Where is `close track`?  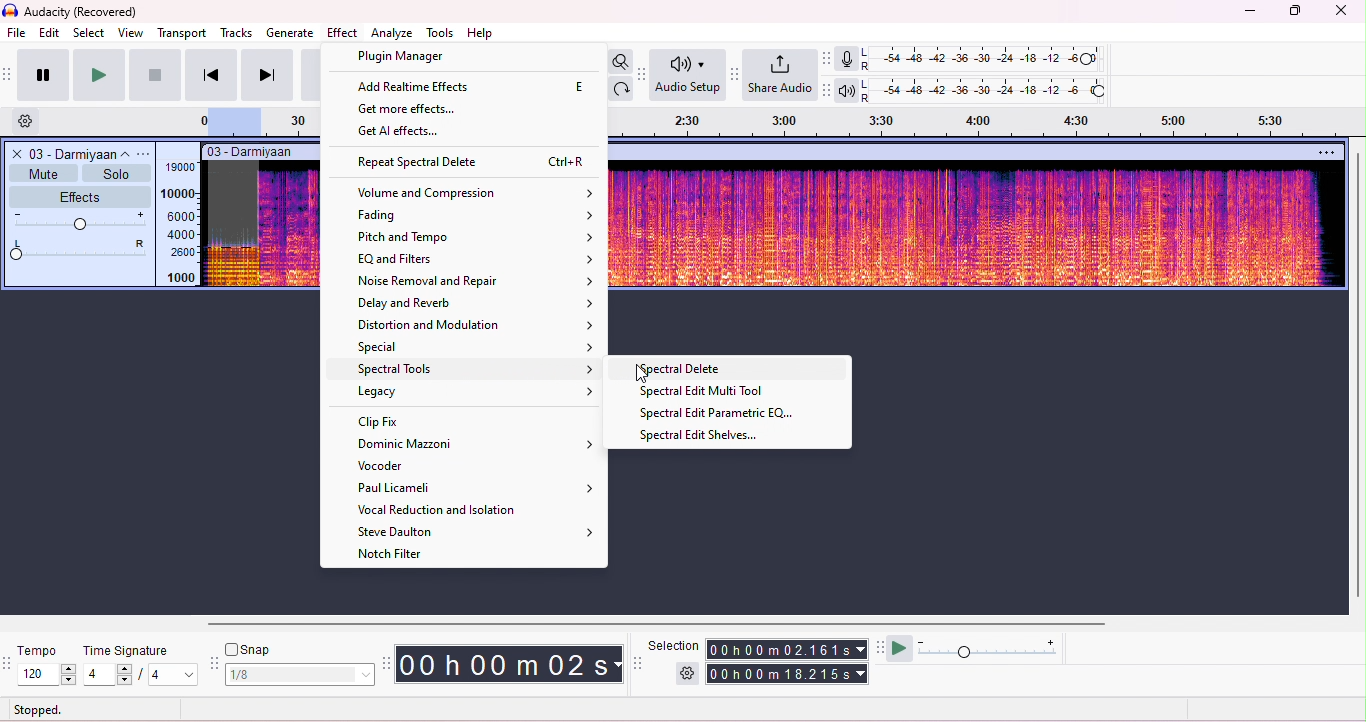
close track is located at coordinates (15, 153).